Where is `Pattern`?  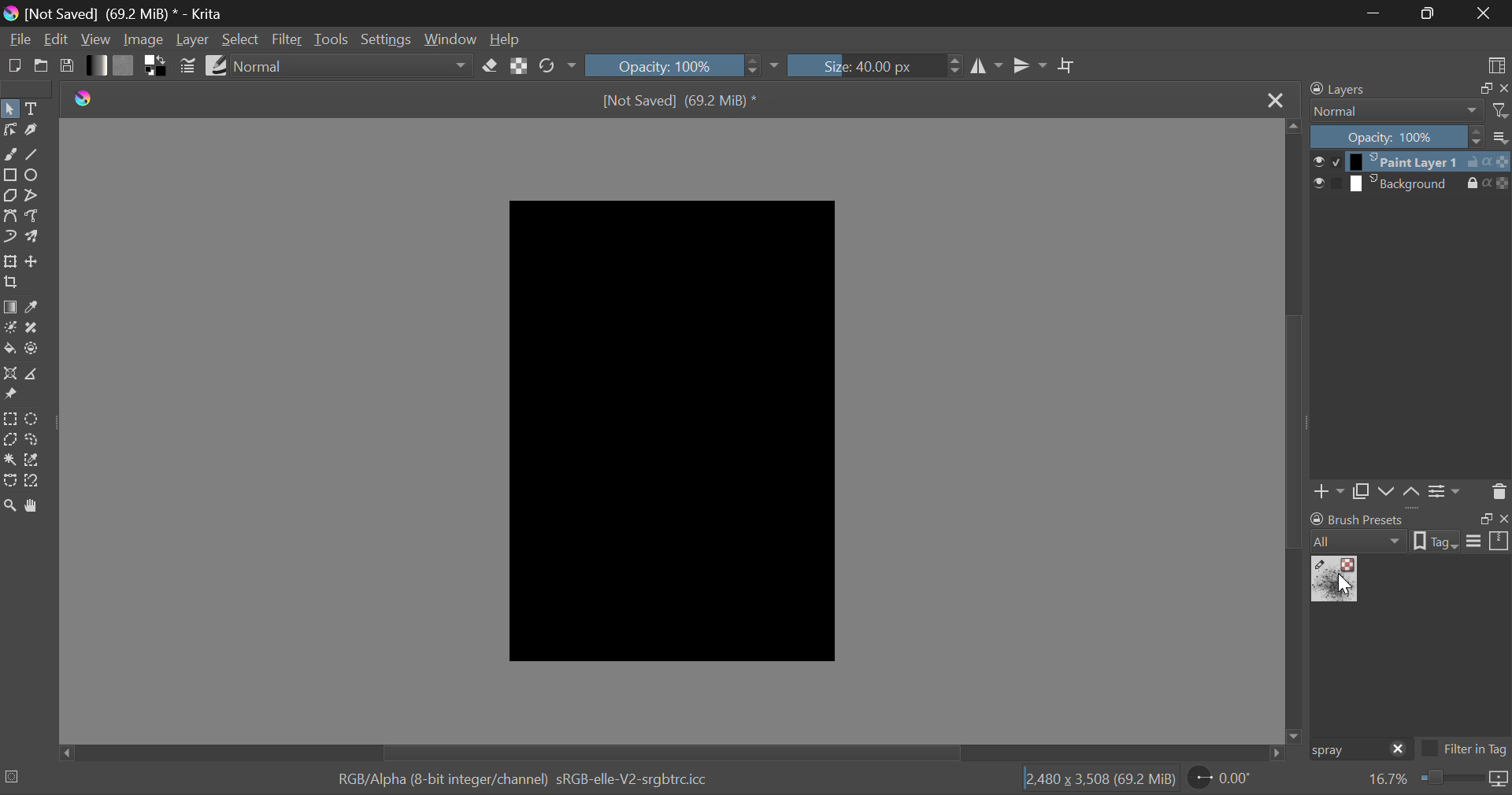
Pattern is located at coordinates (124, 65).